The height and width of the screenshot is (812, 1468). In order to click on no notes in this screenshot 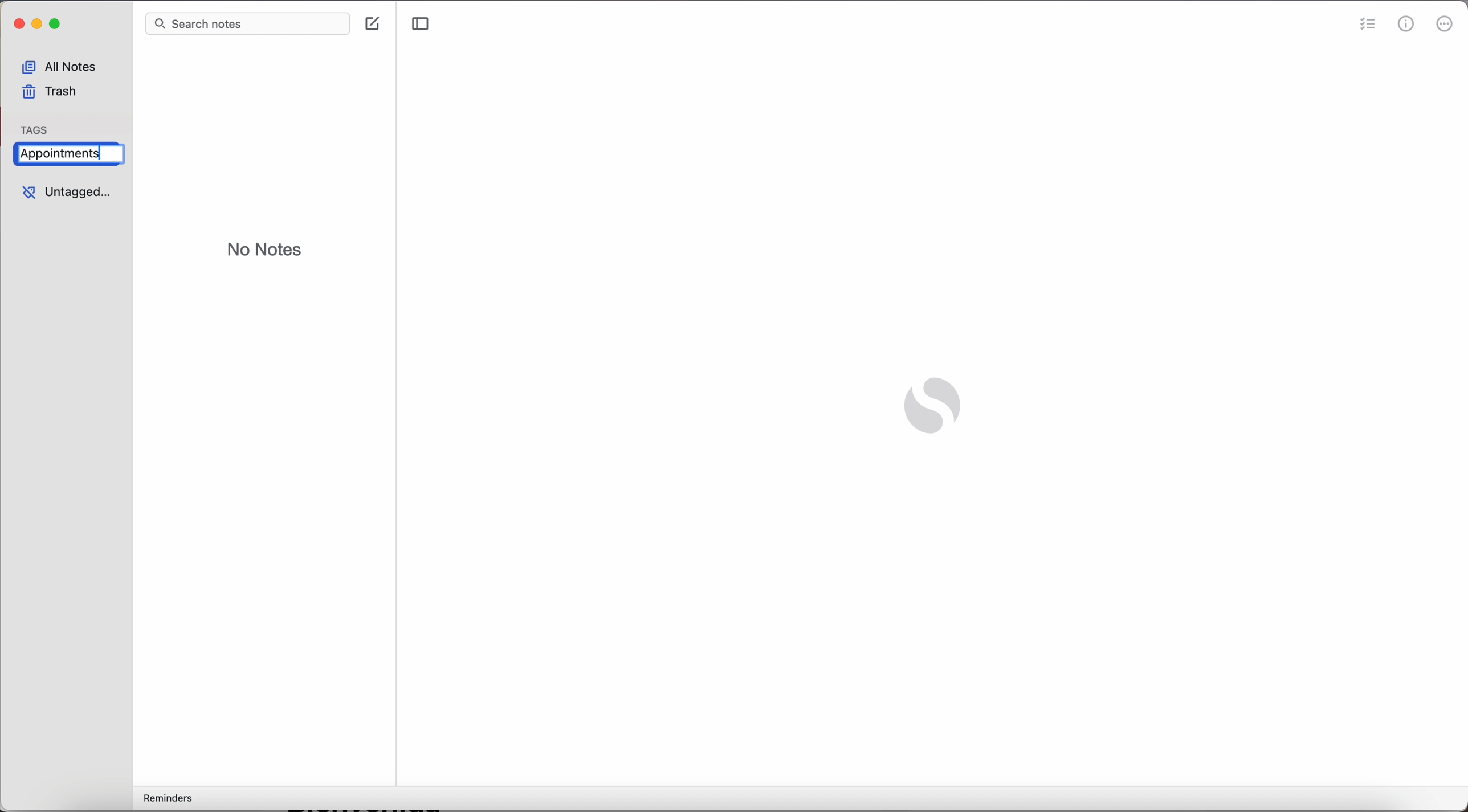, I will do `click(265, 251)`.